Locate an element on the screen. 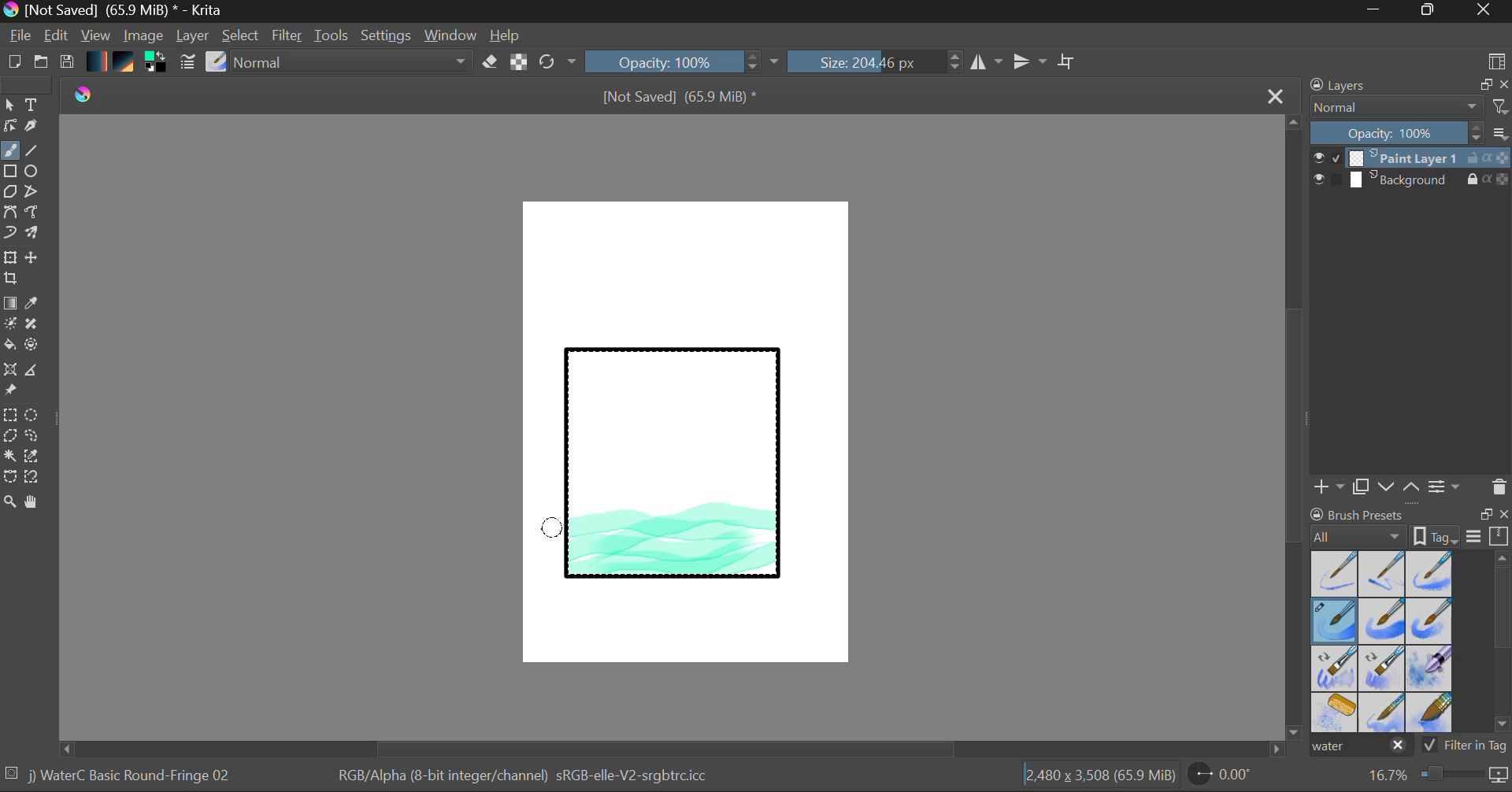 The image size is (1512, 792). Minimize is located at coordinates (1431, 11).